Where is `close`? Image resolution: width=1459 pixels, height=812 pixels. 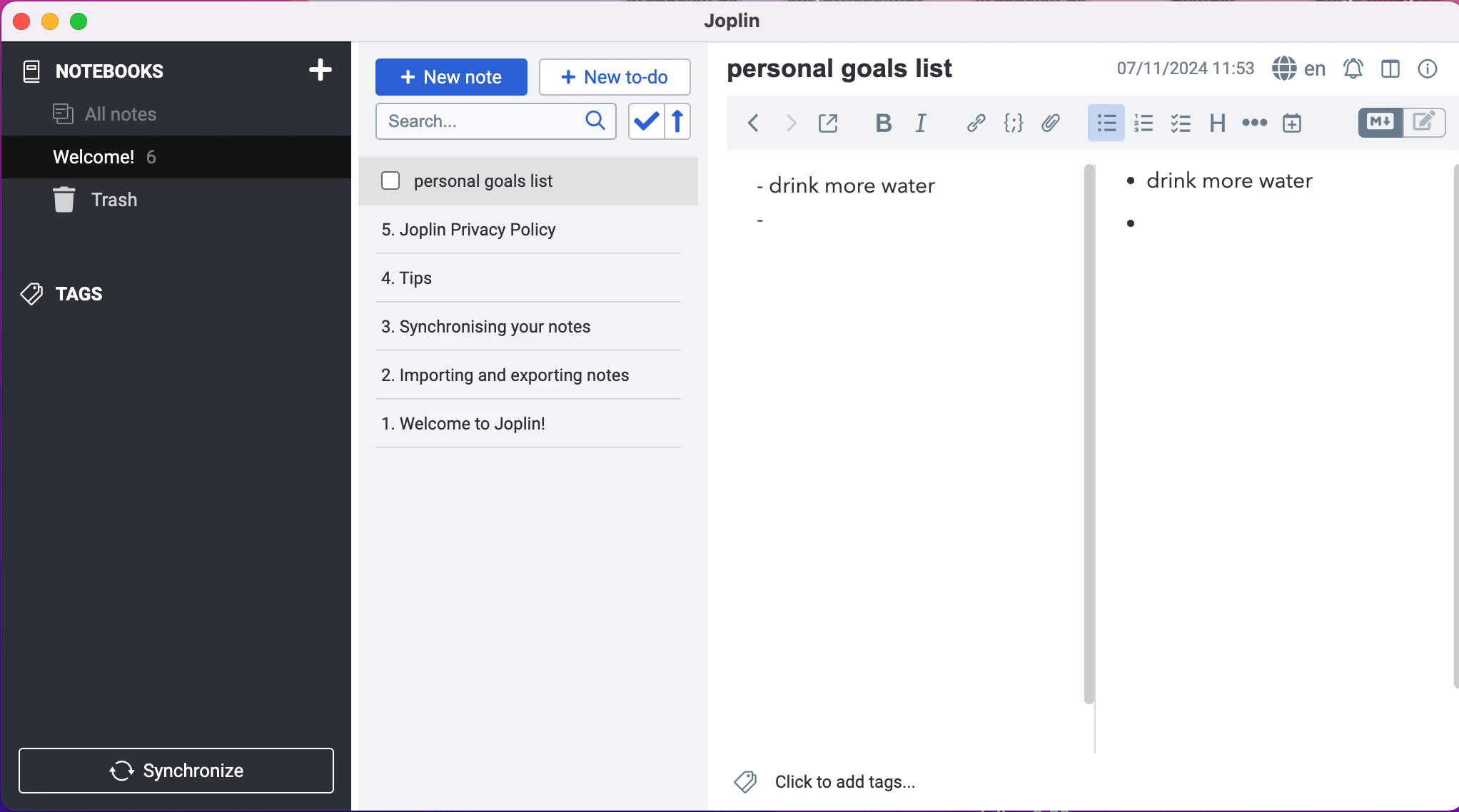 close is located at coordinates (21, 21).